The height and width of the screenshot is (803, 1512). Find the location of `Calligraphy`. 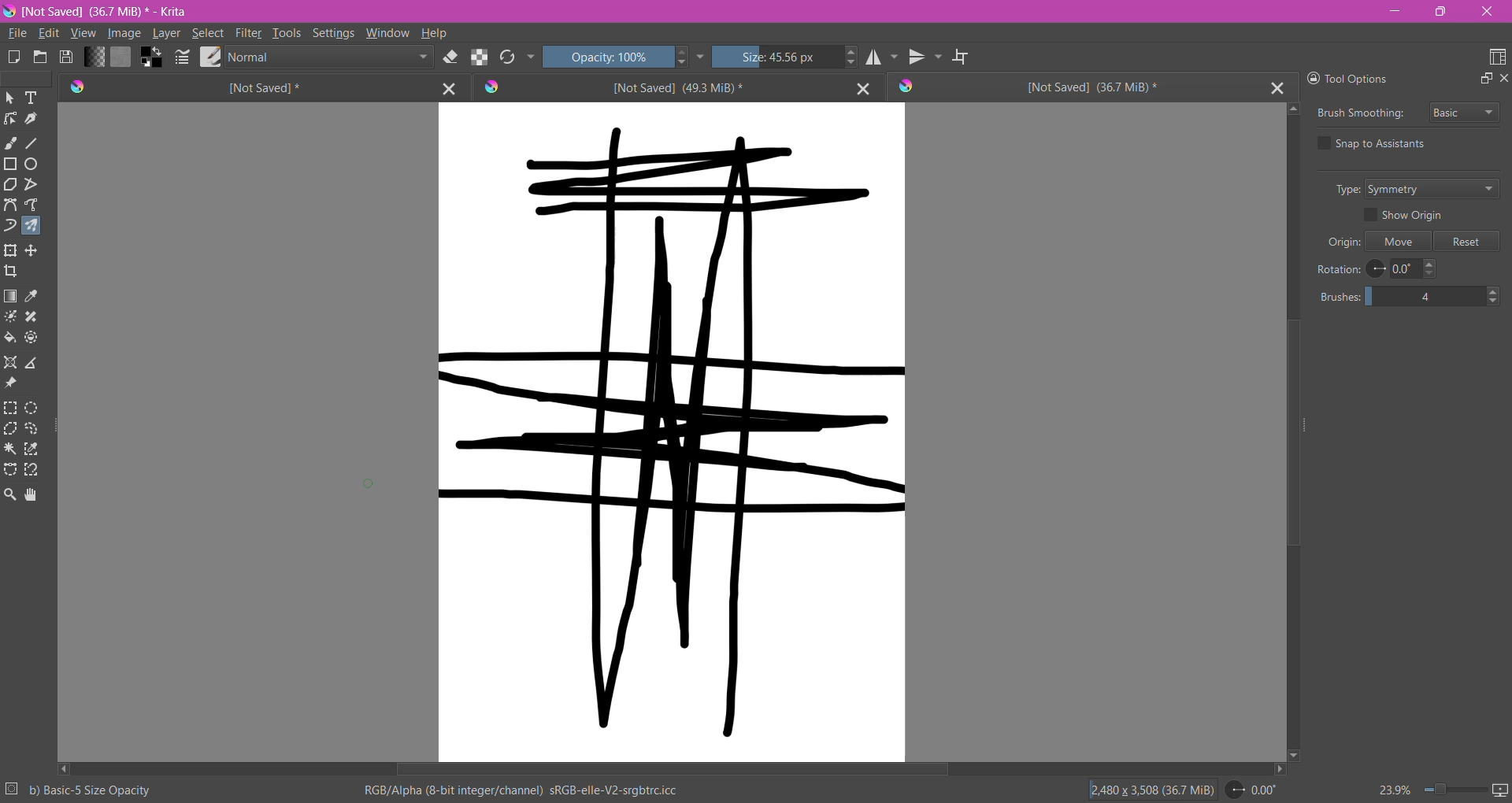

Calligraphy is located at coordinates (34, 118).